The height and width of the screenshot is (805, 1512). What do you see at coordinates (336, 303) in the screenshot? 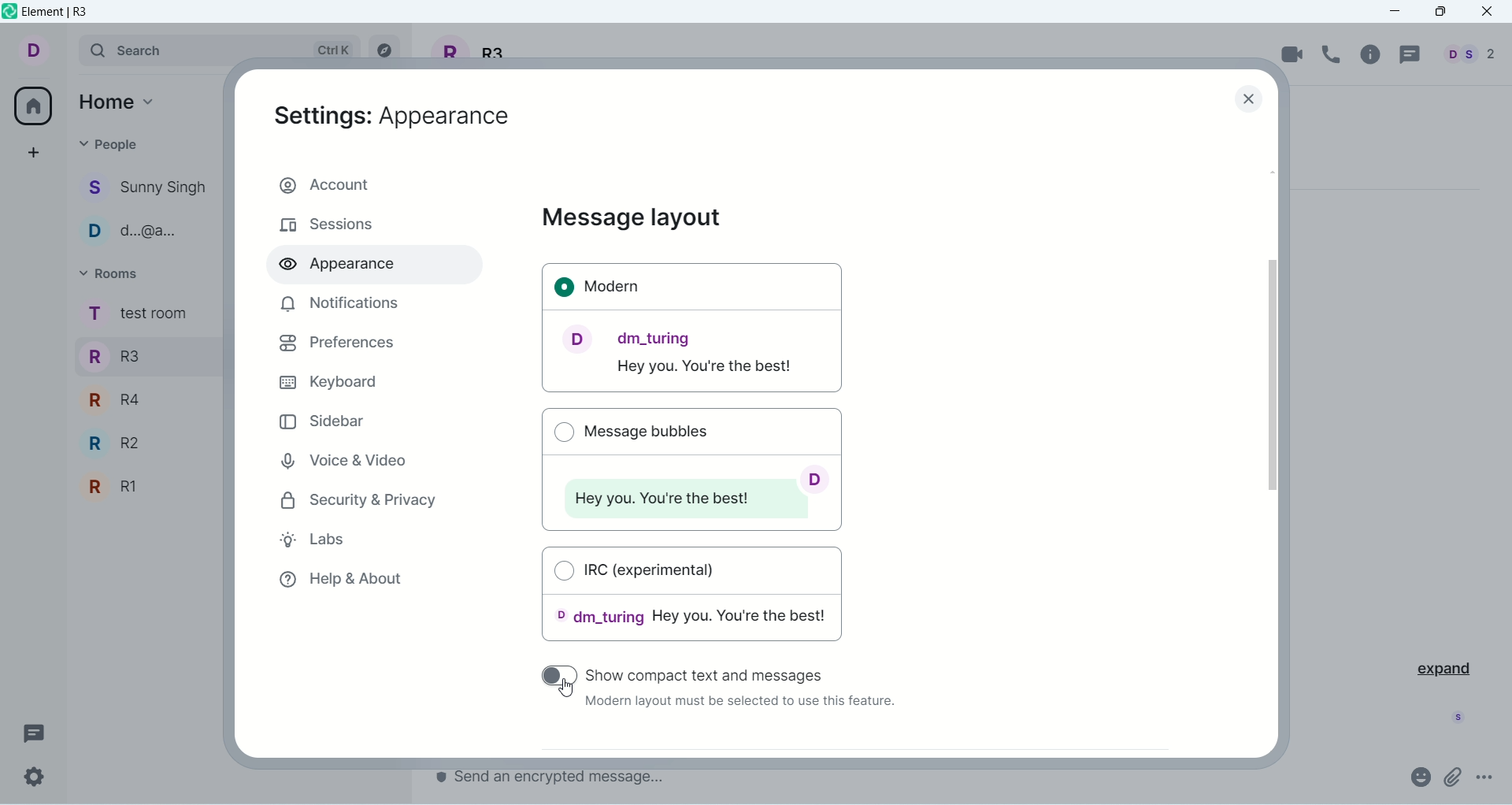
I see `notification` at bounding box center [336, 303].